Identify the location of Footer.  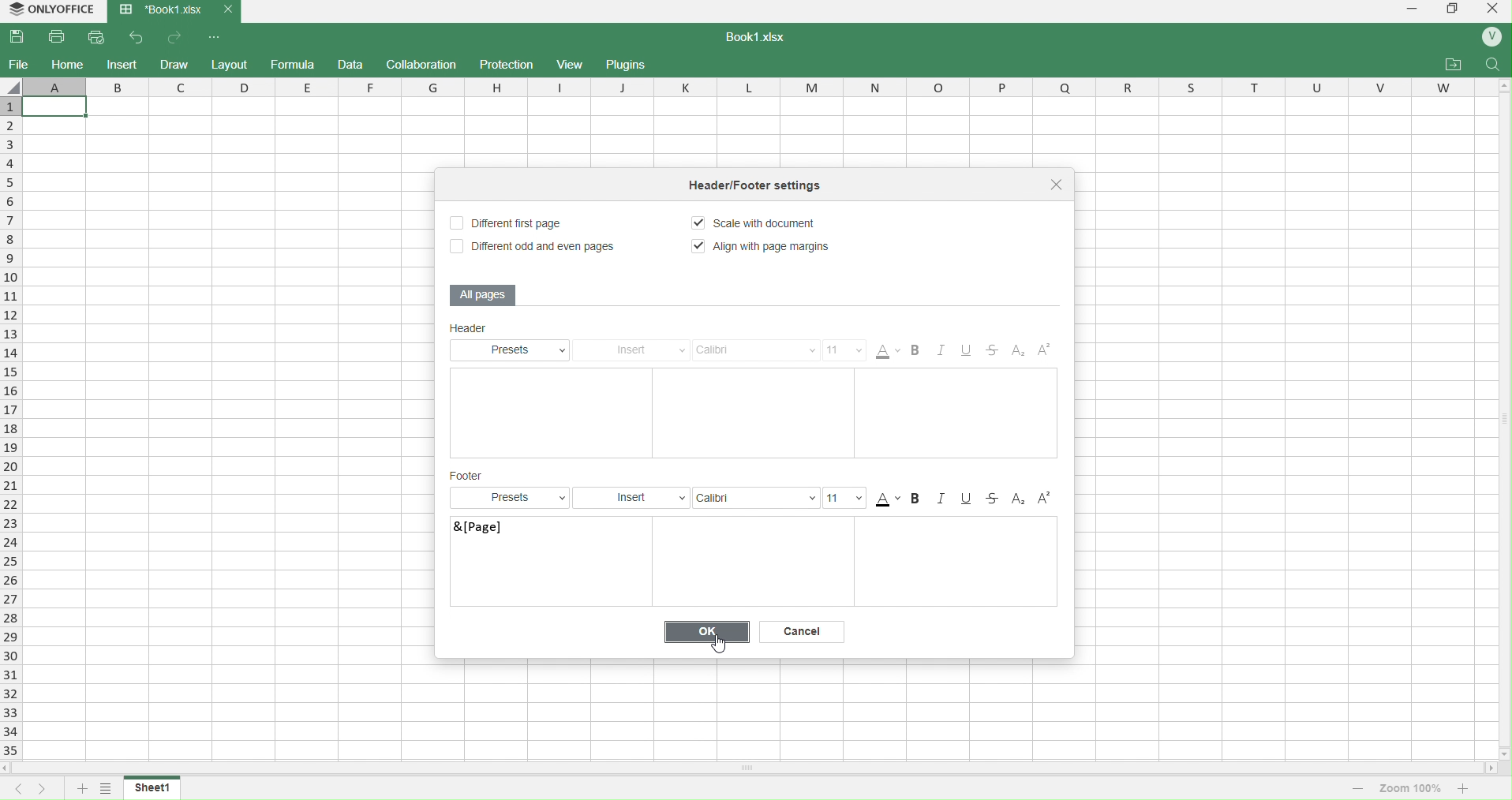
(470, 476).